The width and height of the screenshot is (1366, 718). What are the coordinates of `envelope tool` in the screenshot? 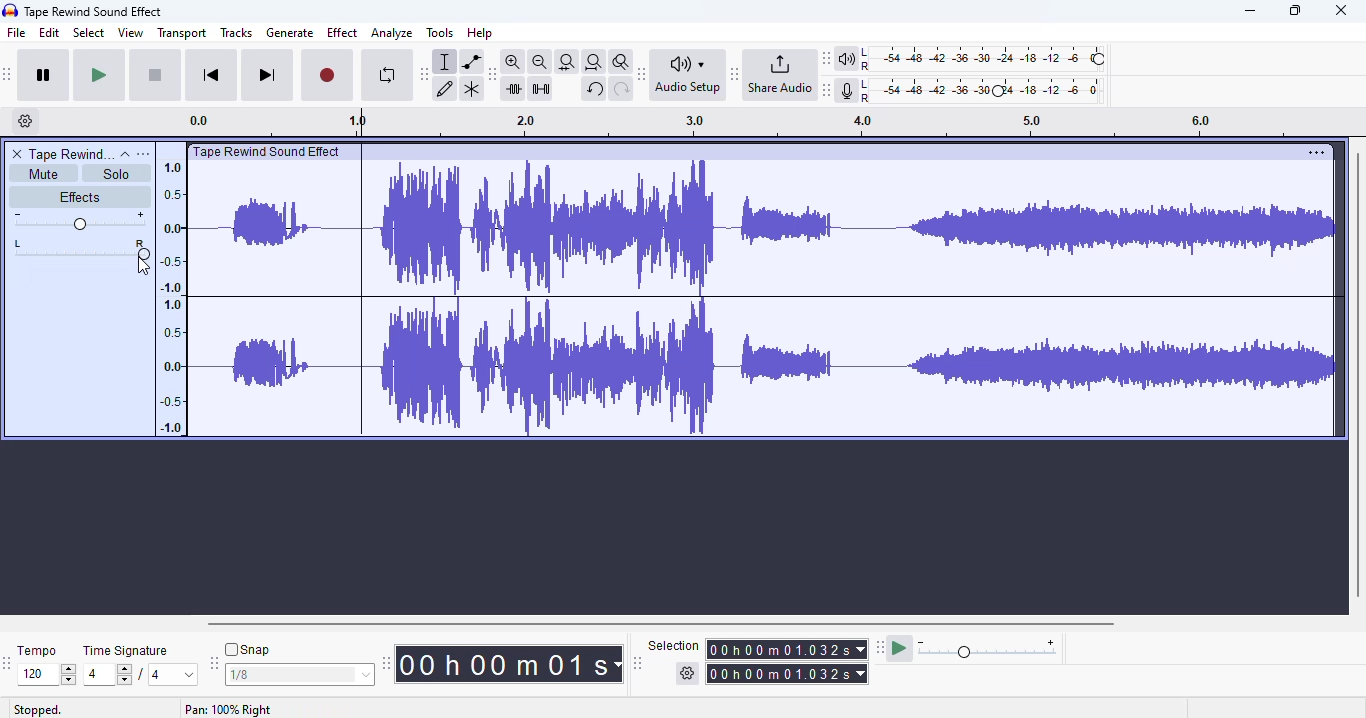 It's located at (472, 62).